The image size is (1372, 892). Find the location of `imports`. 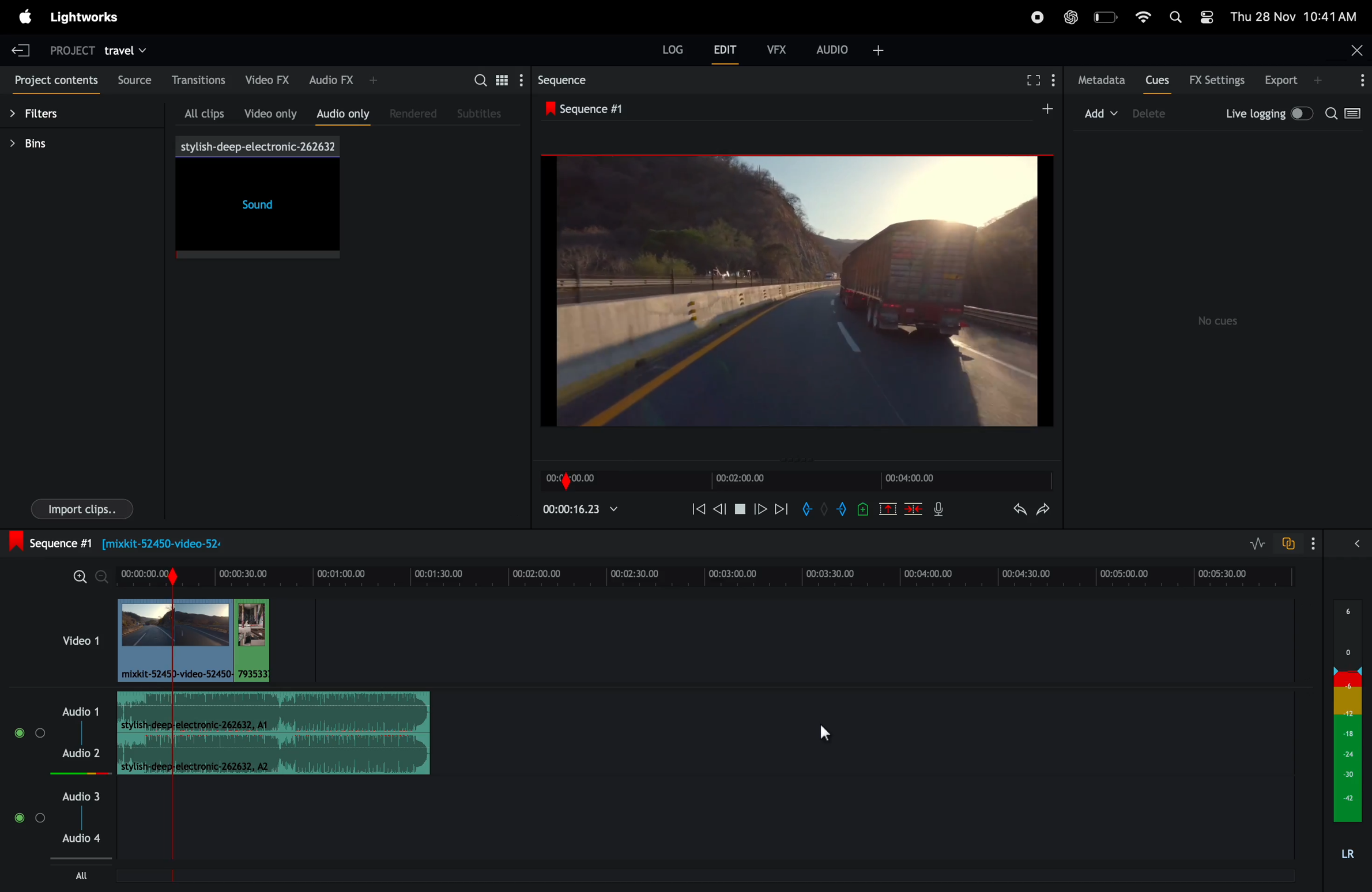

imports is located at coordinates (81, 508).